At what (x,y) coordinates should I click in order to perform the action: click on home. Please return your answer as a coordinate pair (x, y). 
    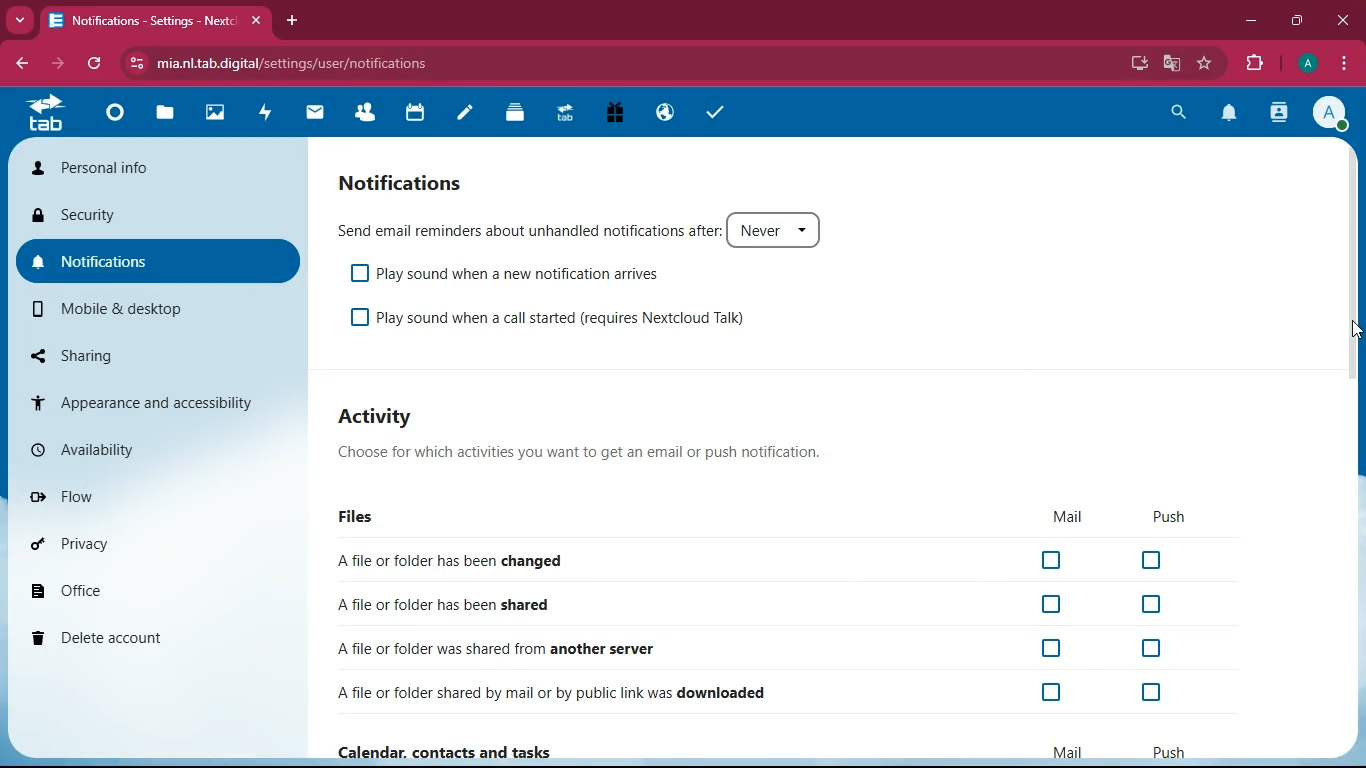
    Looking at the image, I should click on (113, 112).